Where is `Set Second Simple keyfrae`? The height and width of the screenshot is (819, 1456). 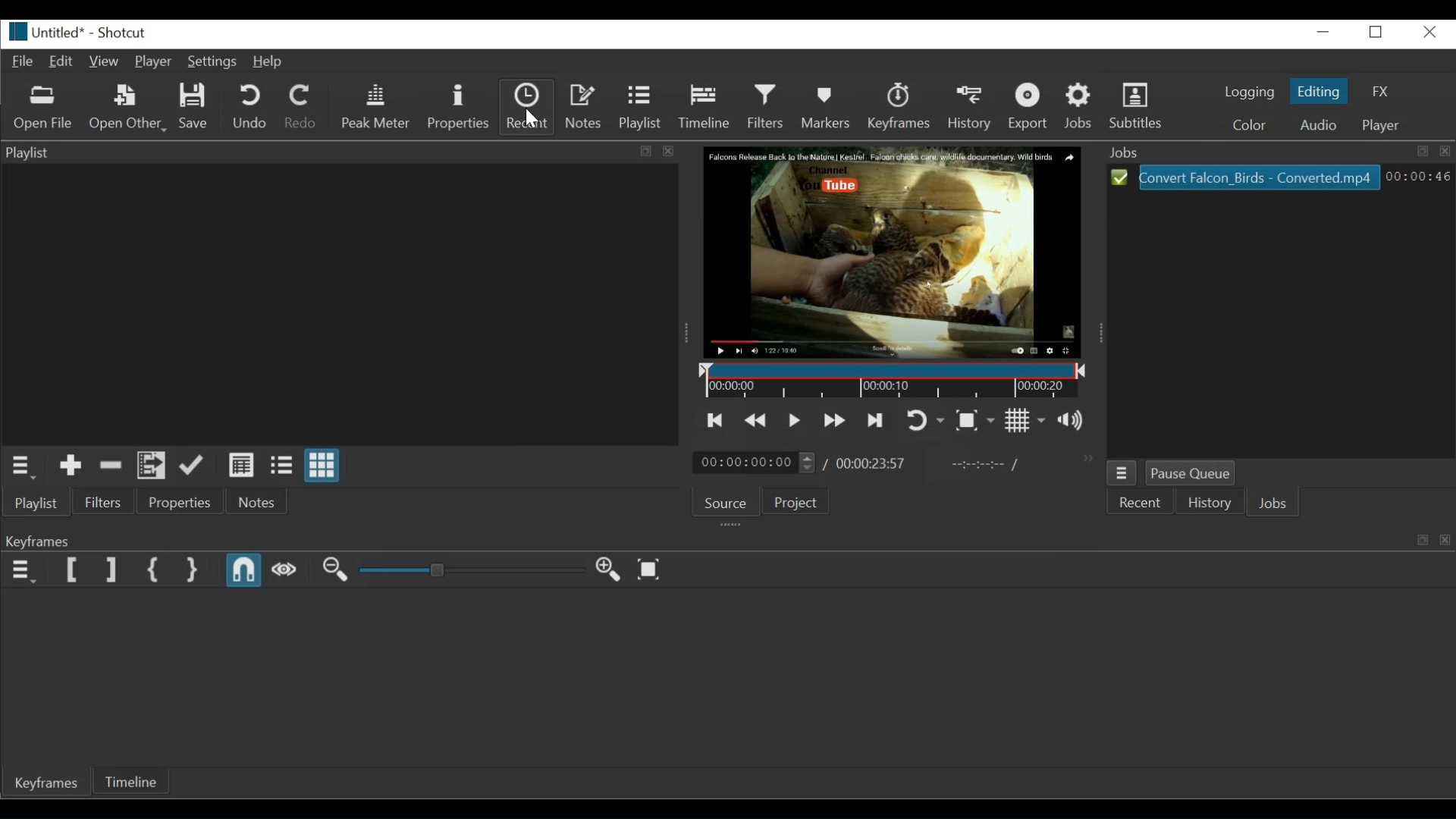
Set Second Simple keyfrae is located at coordinates (193, 572).